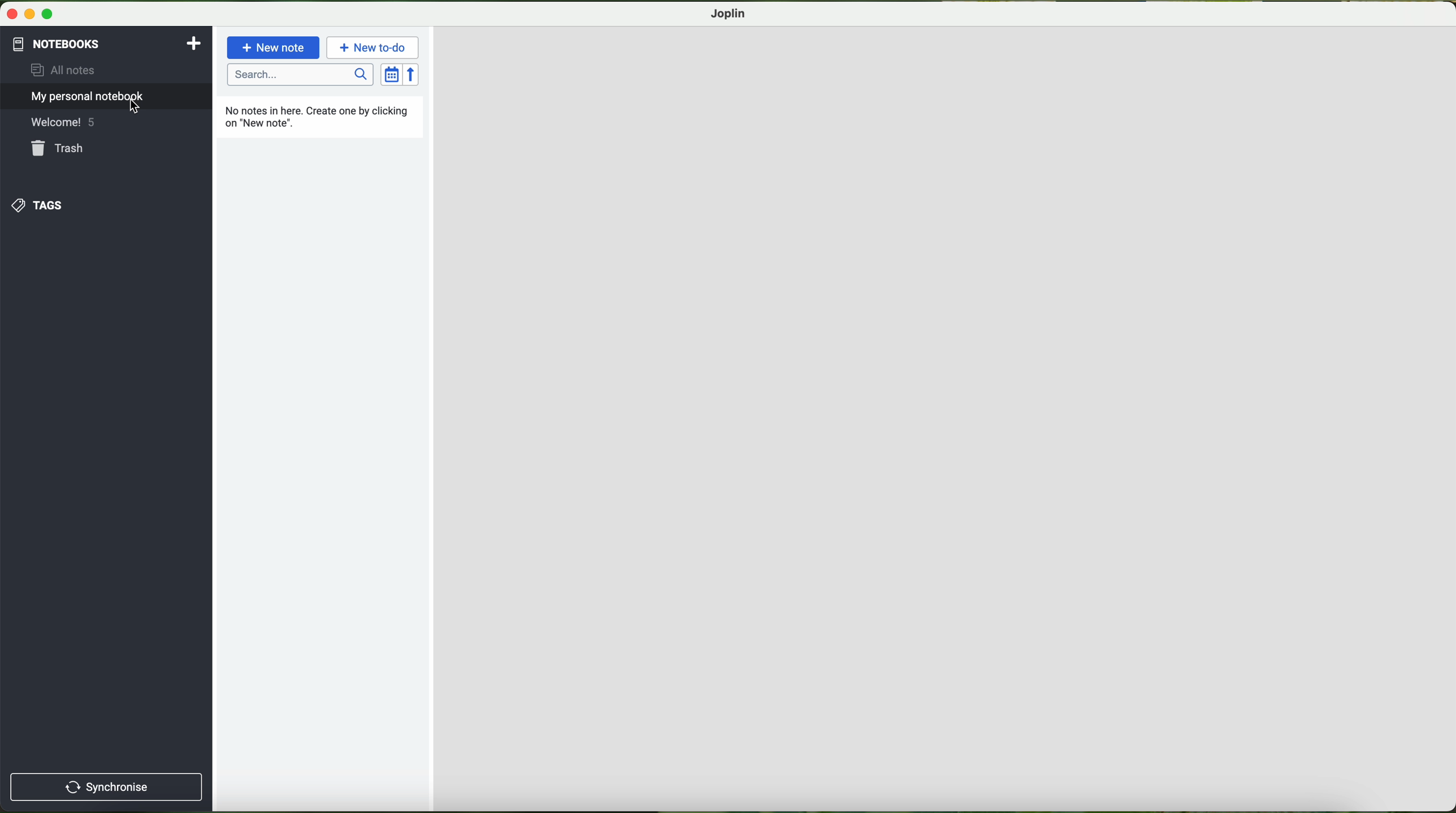 The height and width of the screenshot is (813, 1456). What do you see at coordinates (58, 71) in the screenshot?
I see `all notes` at bounding box center [58, 71].